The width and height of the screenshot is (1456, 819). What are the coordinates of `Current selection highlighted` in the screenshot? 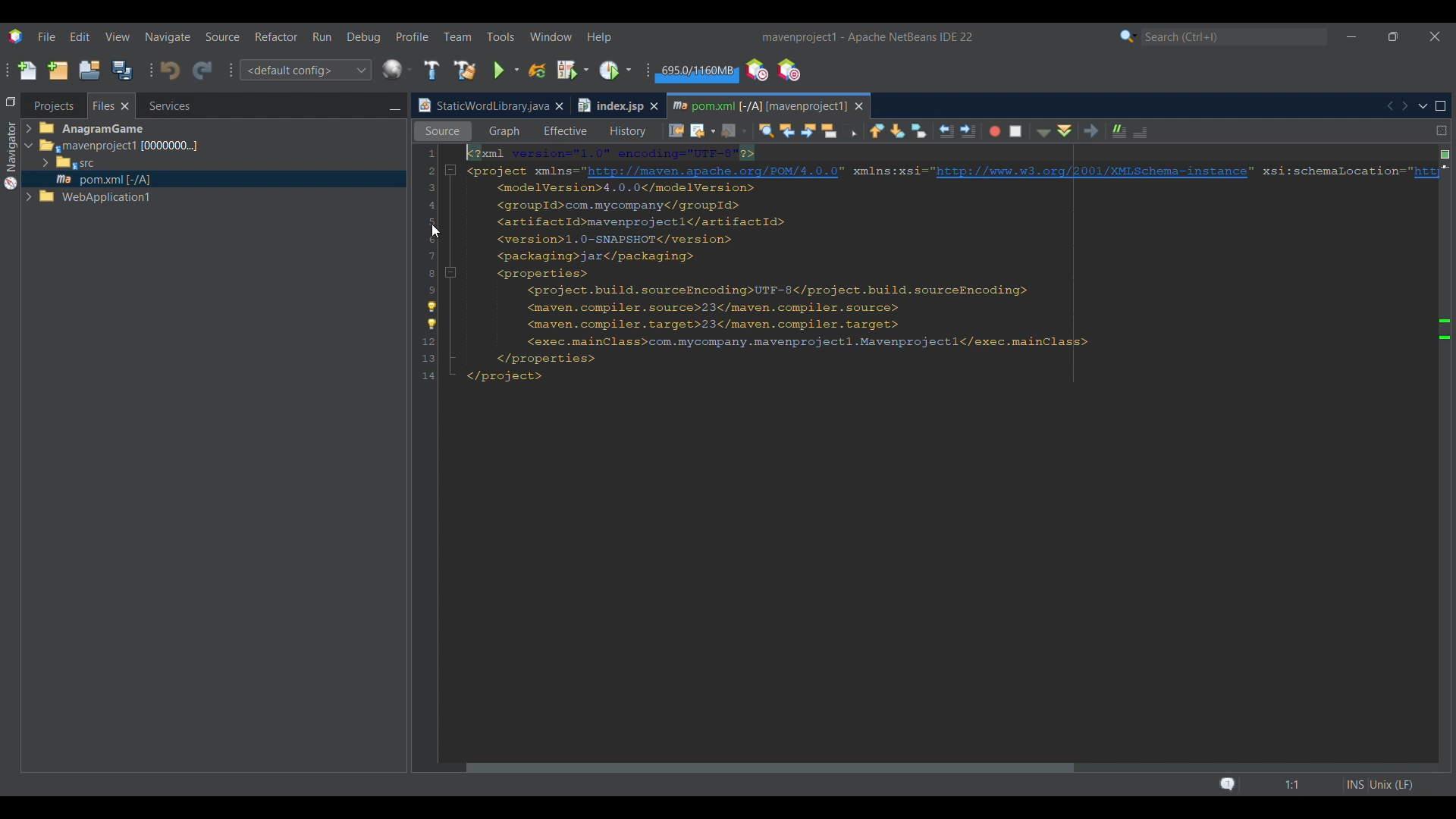 It's located at (111, 105).